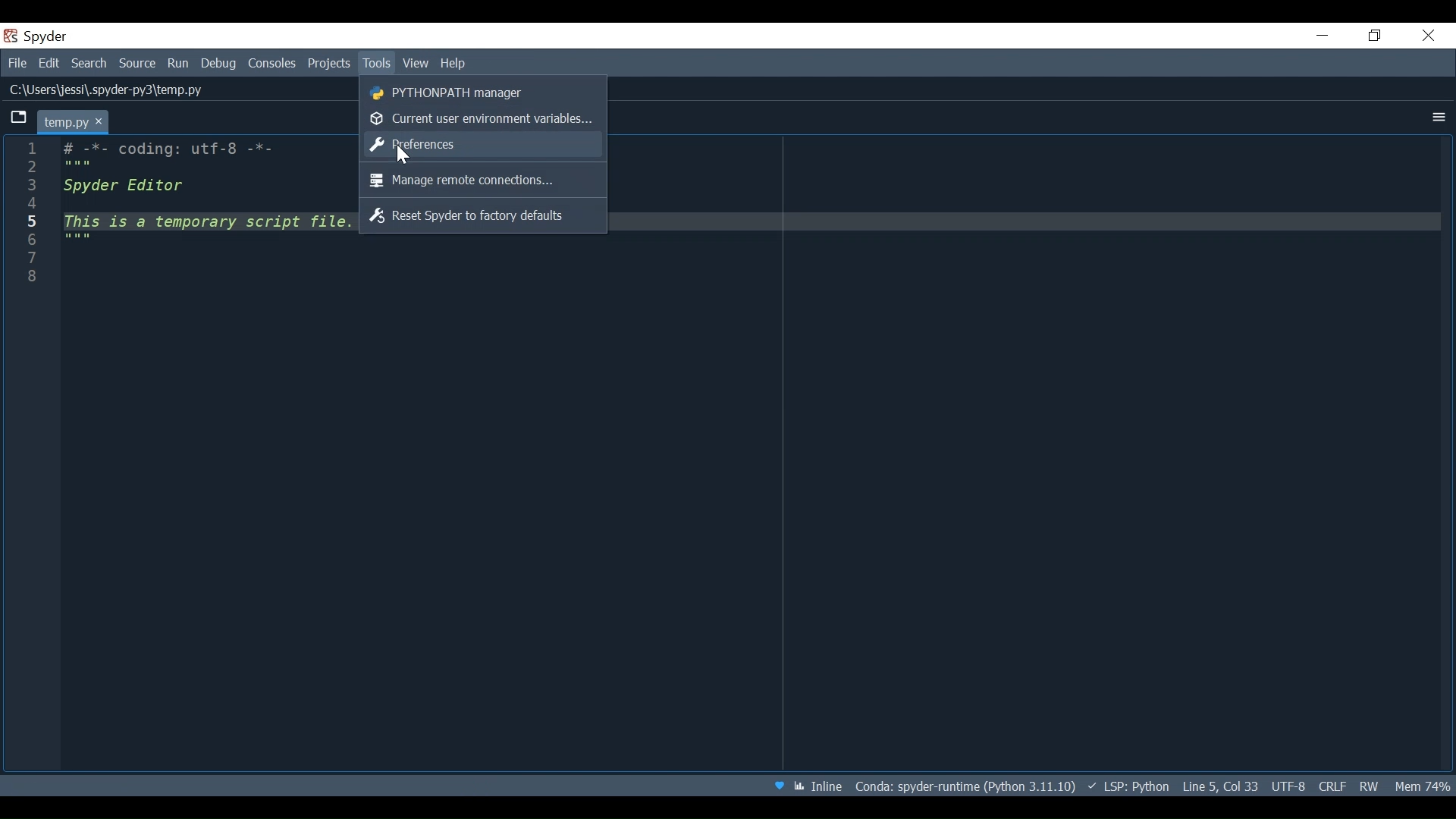  What do you see at coordinates (17, 119) in the screenshot?
I see `Browse Tab` at bounding box center [17, 119].